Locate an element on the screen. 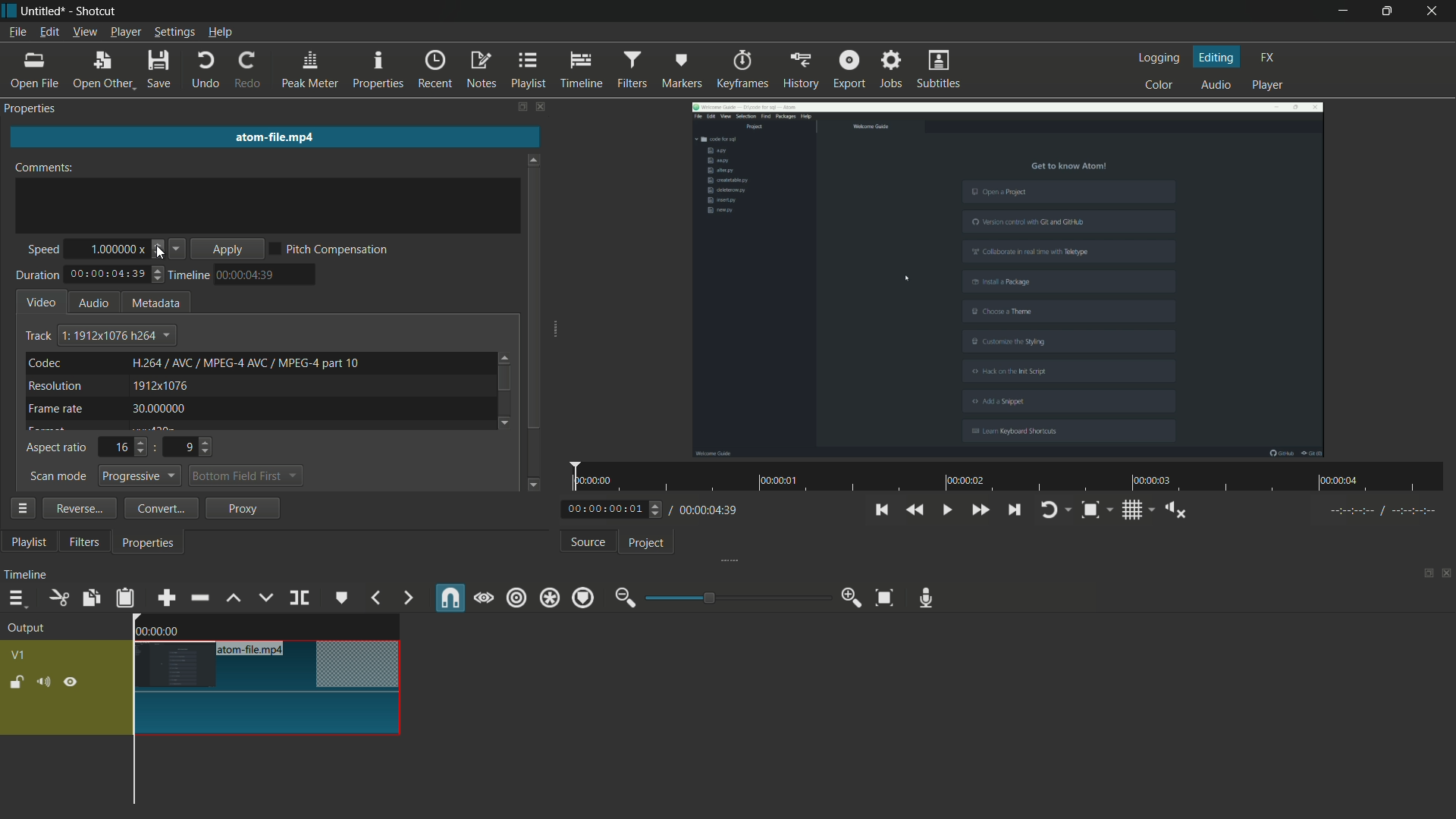  16 is located at coordinates (127, 447).